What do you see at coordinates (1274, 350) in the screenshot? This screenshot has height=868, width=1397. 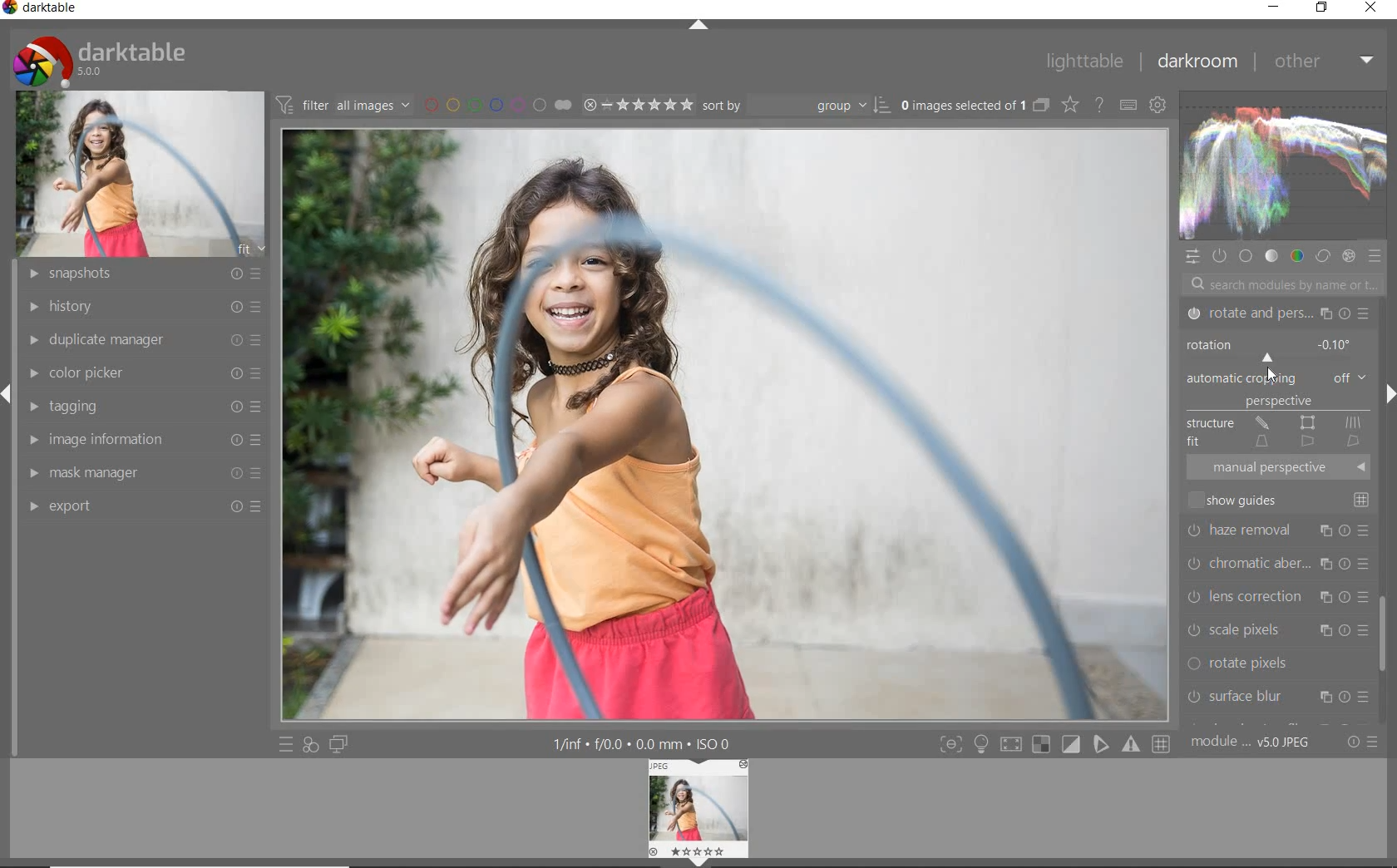 I see `ROTATION` at bounding box center [1274, 350].